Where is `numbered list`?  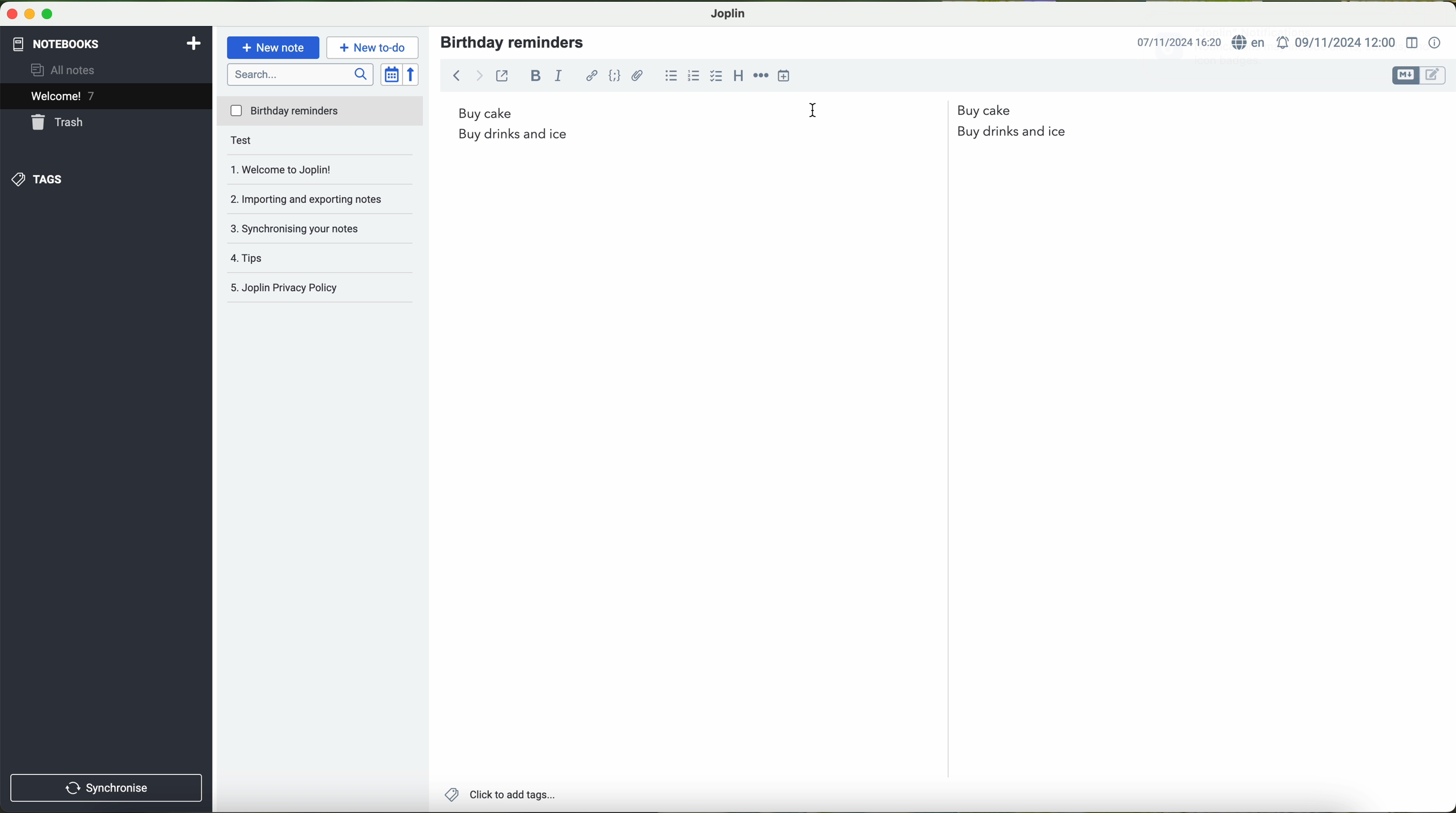 numbered list is located at coordinates (692, 75).